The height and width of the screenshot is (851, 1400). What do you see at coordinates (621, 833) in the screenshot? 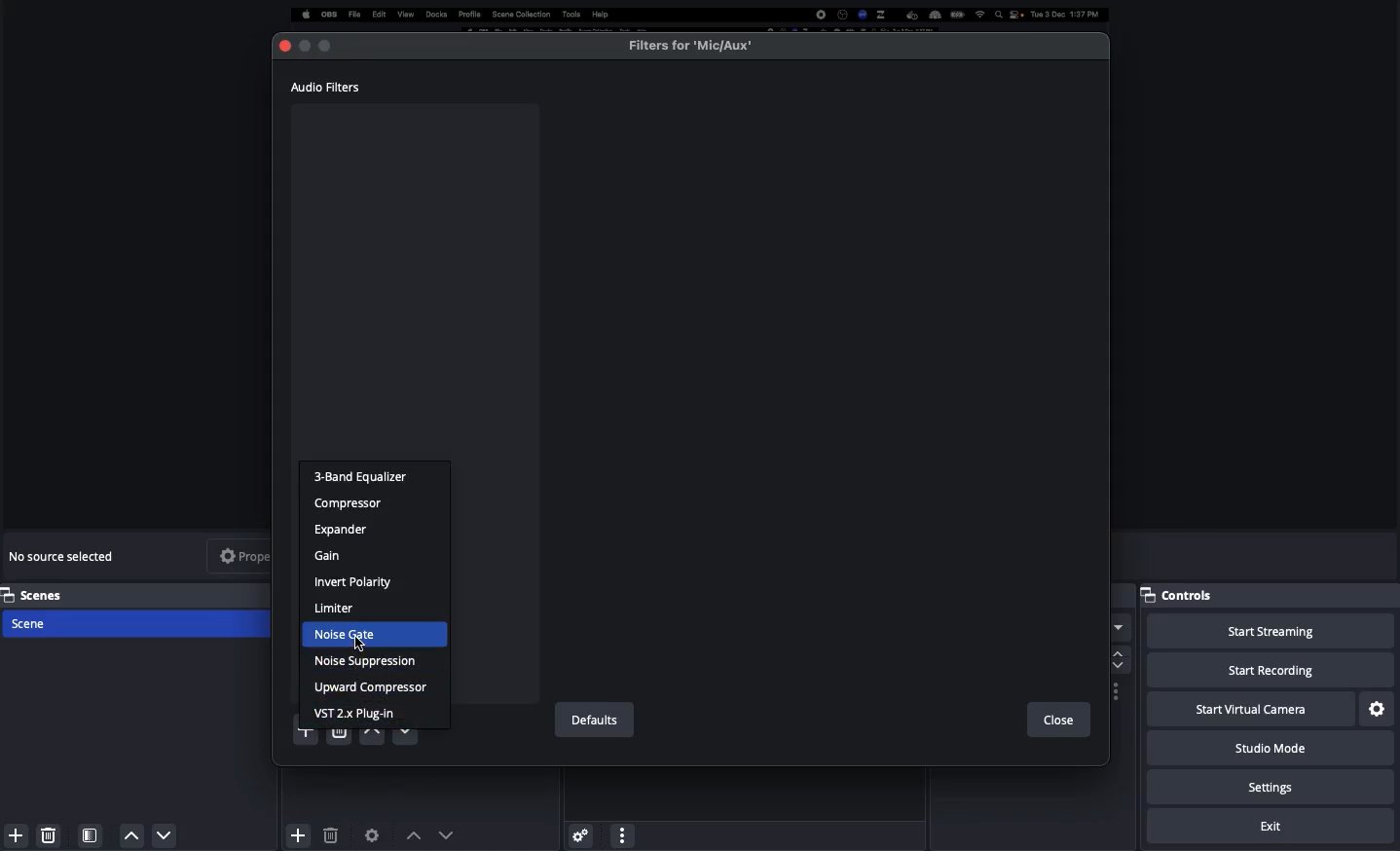
I see `More` at bounding box center [621, 833].